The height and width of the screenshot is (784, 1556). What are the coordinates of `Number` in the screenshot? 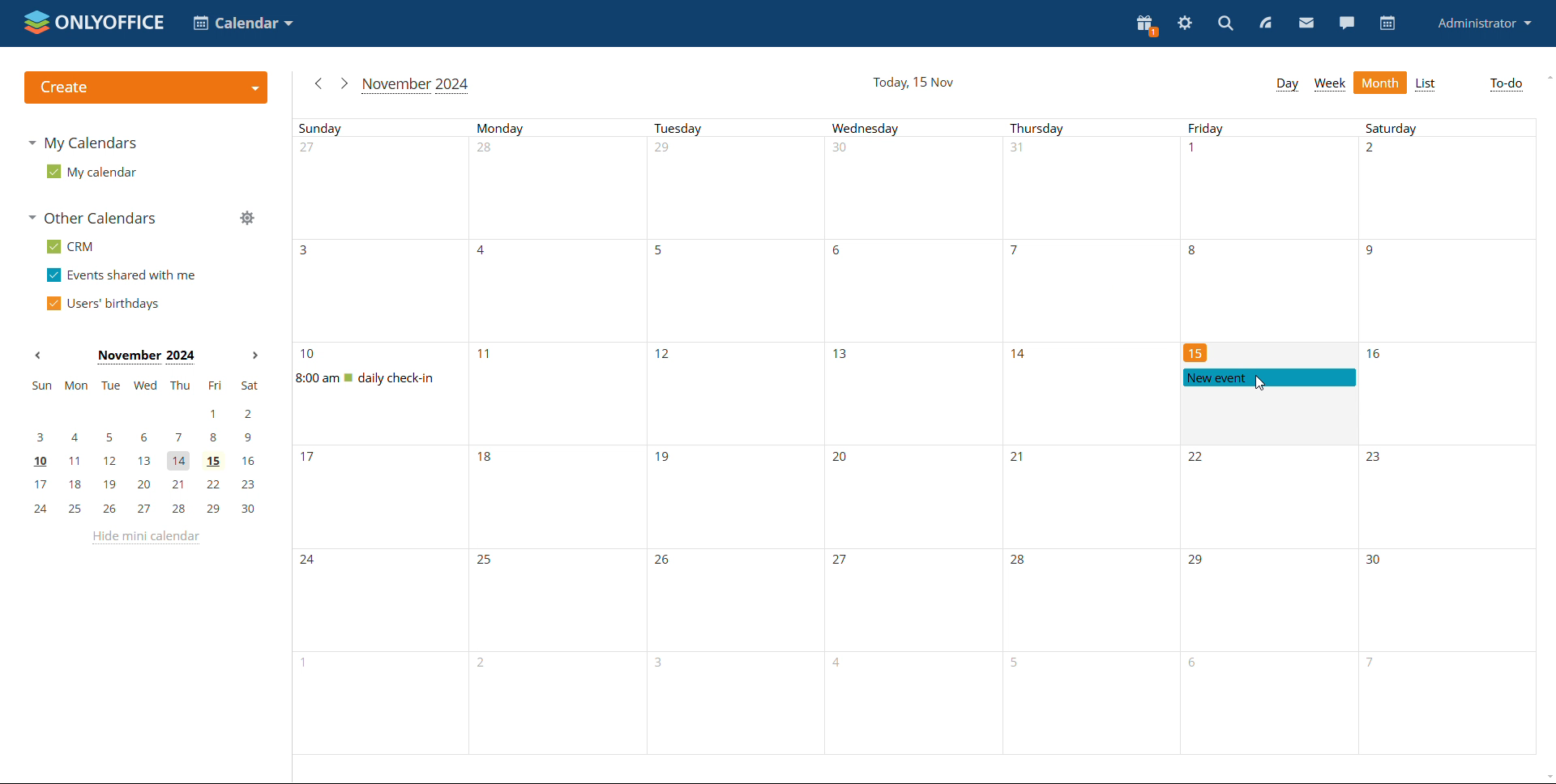 It's located at (843, 356).